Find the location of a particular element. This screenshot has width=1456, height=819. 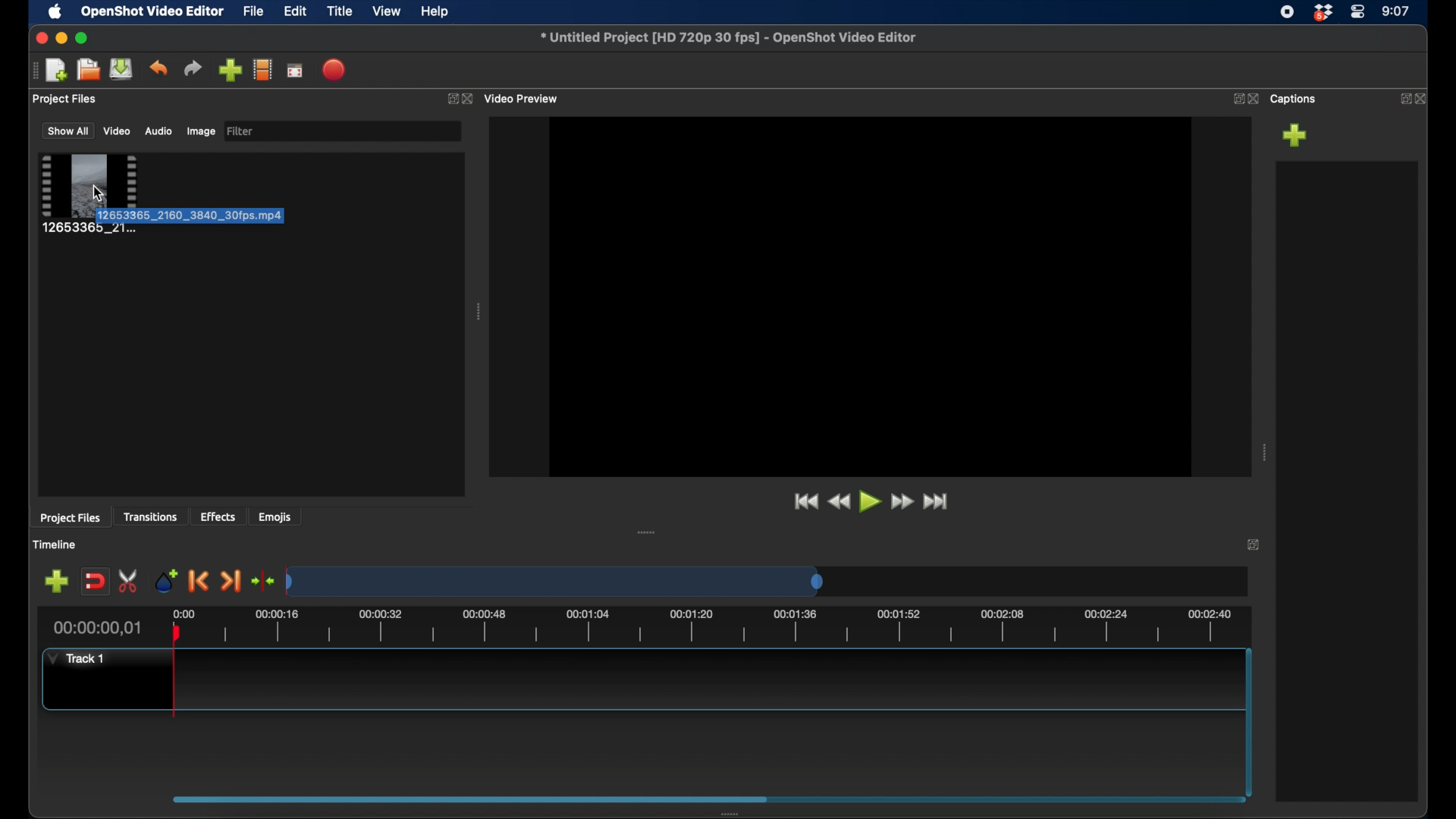

transitions is located at coordinates (152, 516).